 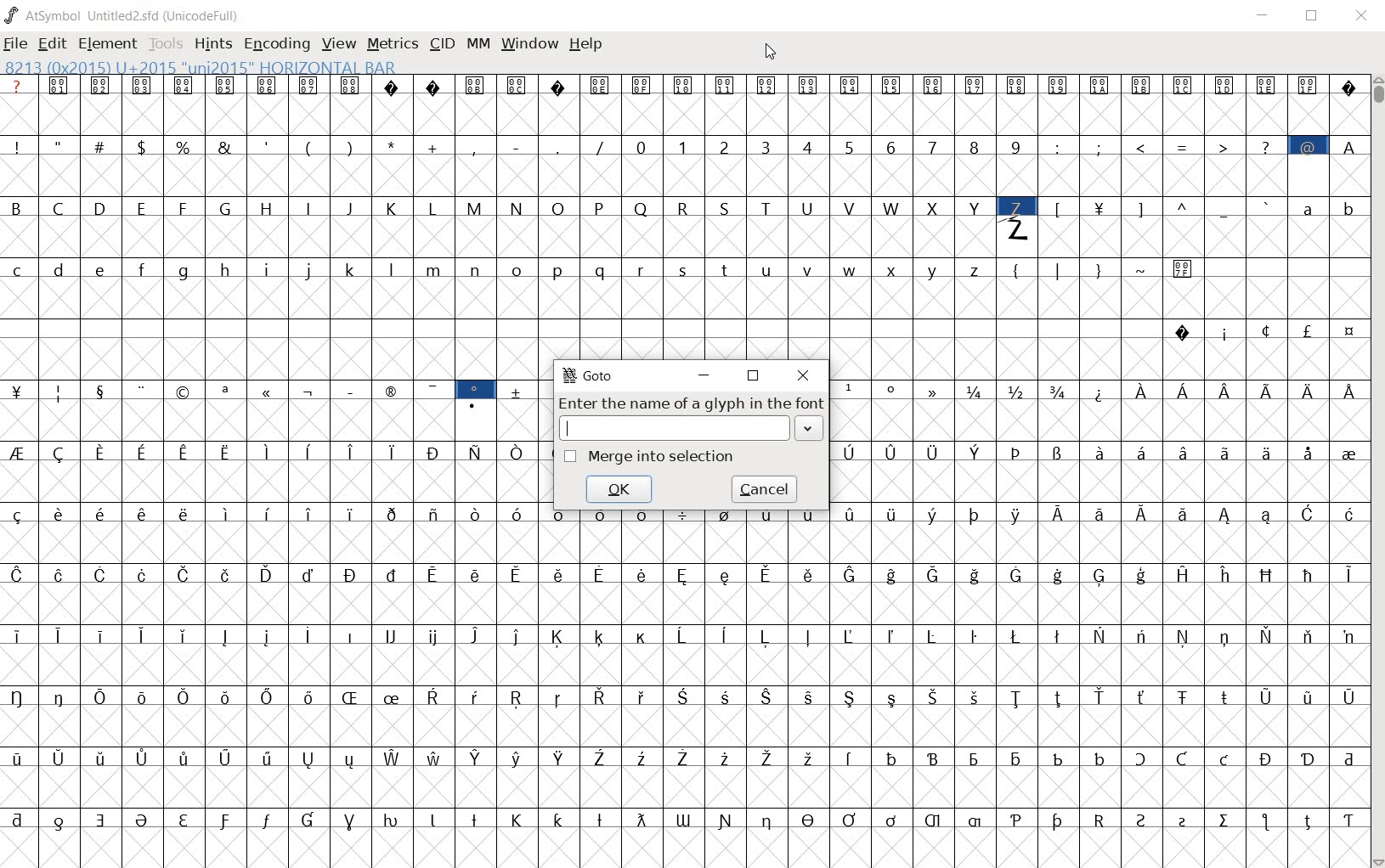 What do you see at coordinates (442, 43) in the screenshot?
I see `CID` at bounding box center [442, 43].